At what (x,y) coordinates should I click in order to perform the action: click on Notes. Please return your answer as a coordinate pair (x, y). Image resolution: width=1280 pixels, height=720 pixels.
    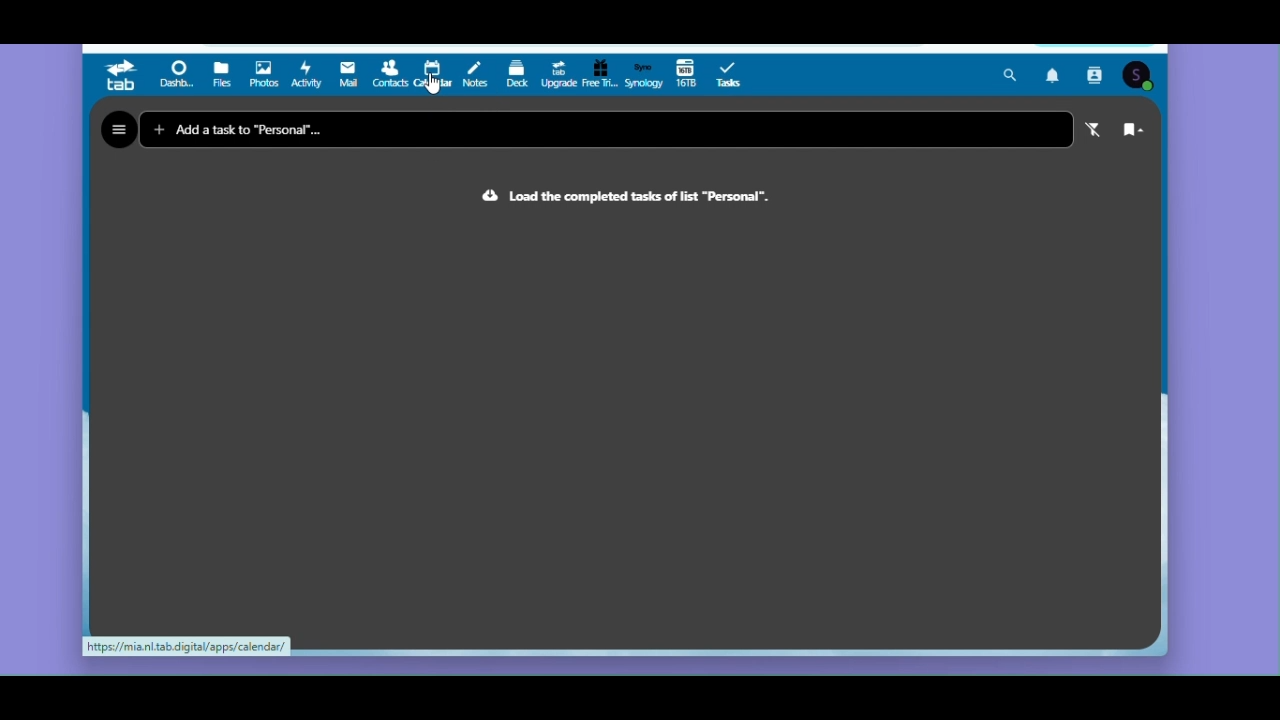
    Looking at the image, I should click on (476, 71).